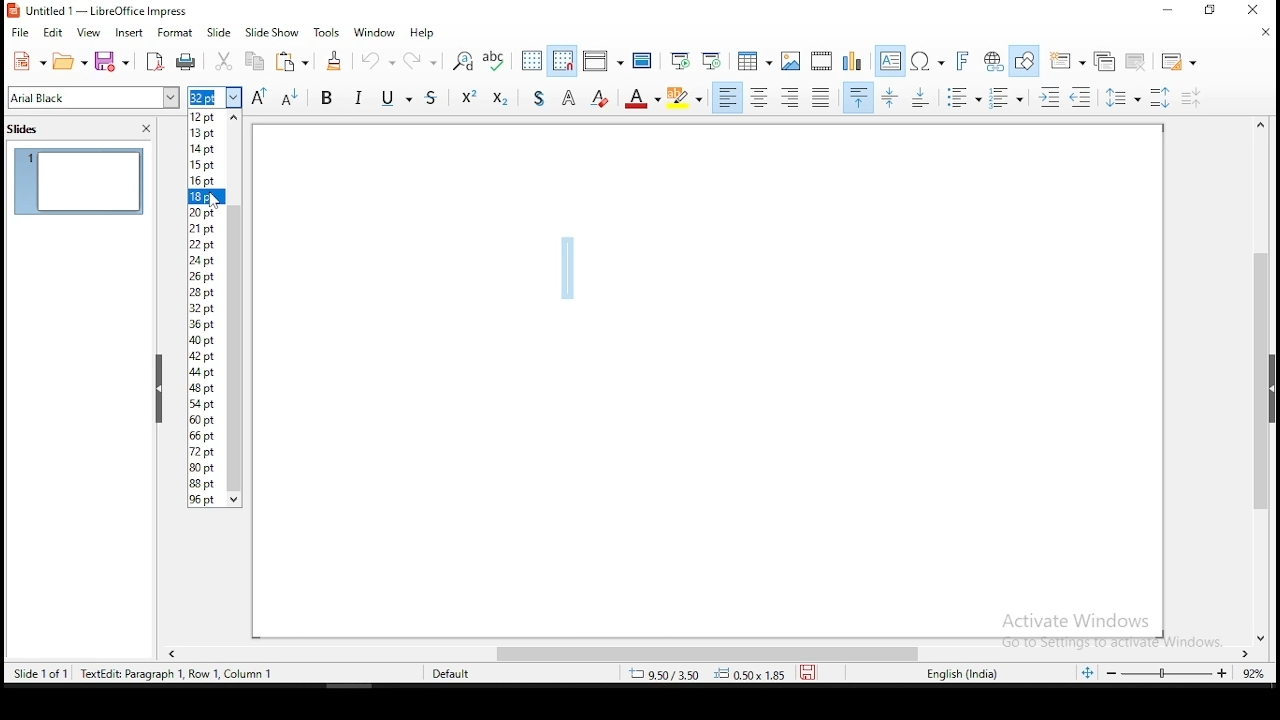 This screenshot has width=1280, height=720. What do you see at coordinates (1006, 98) in the screenshot?
I see `Numbered bullet list` at bounding box center [1006, 98].